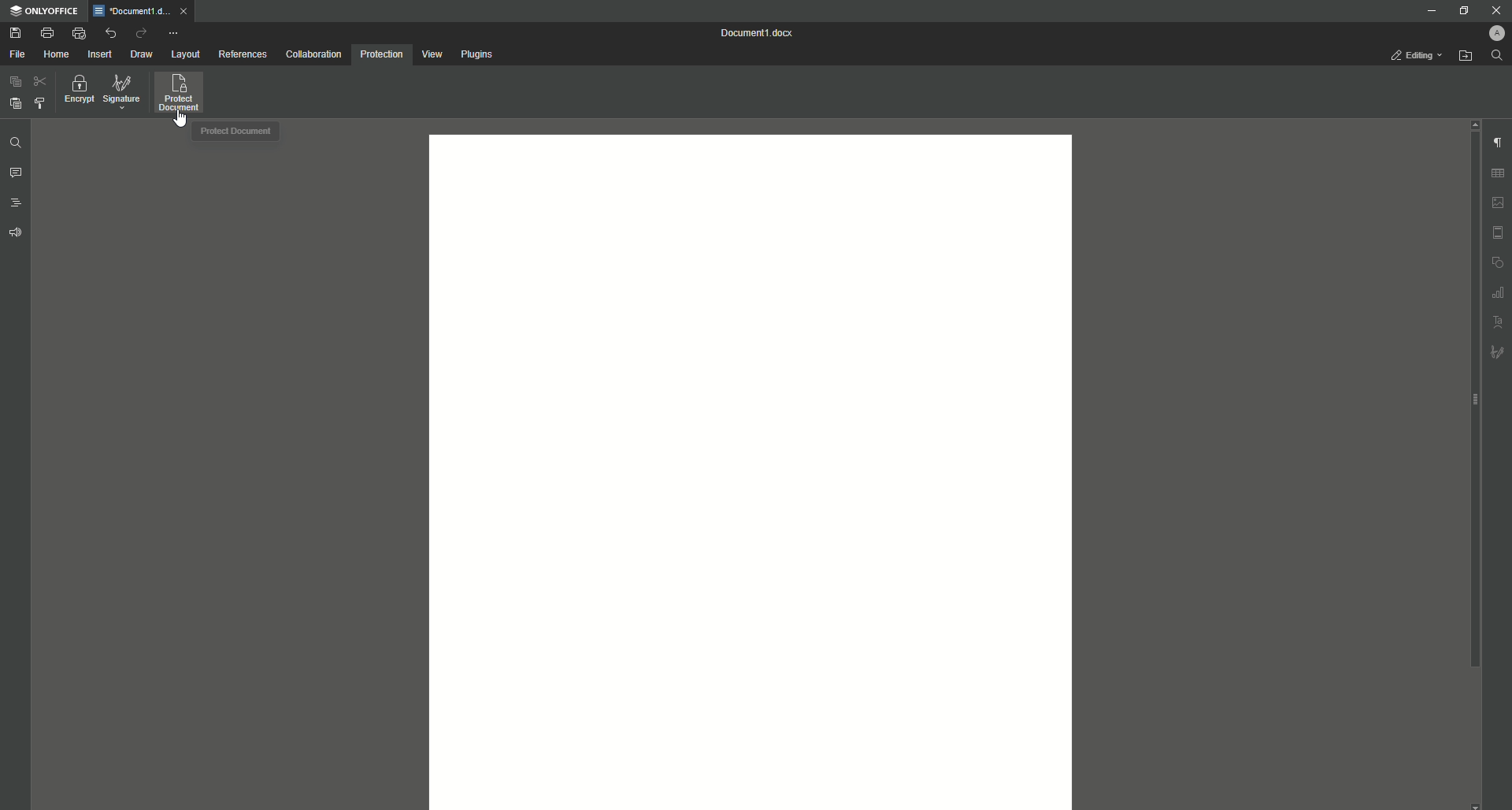  Describe the element at coordinates (312, 54) in the screenshot. I see `Collaboration` at that location.